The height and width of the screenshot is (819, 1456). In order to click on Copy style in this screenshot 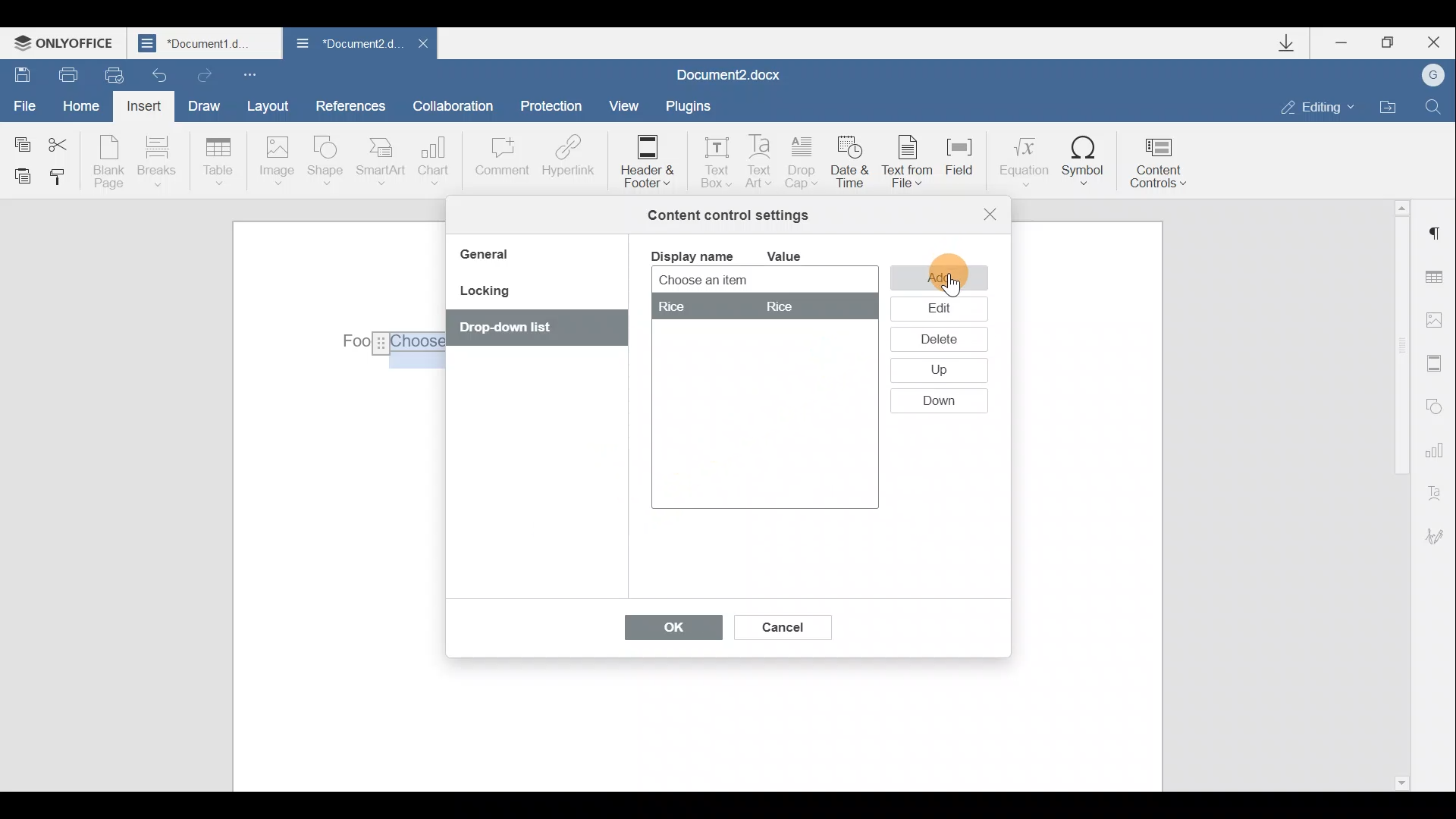, I will do `click(59, 180)`.